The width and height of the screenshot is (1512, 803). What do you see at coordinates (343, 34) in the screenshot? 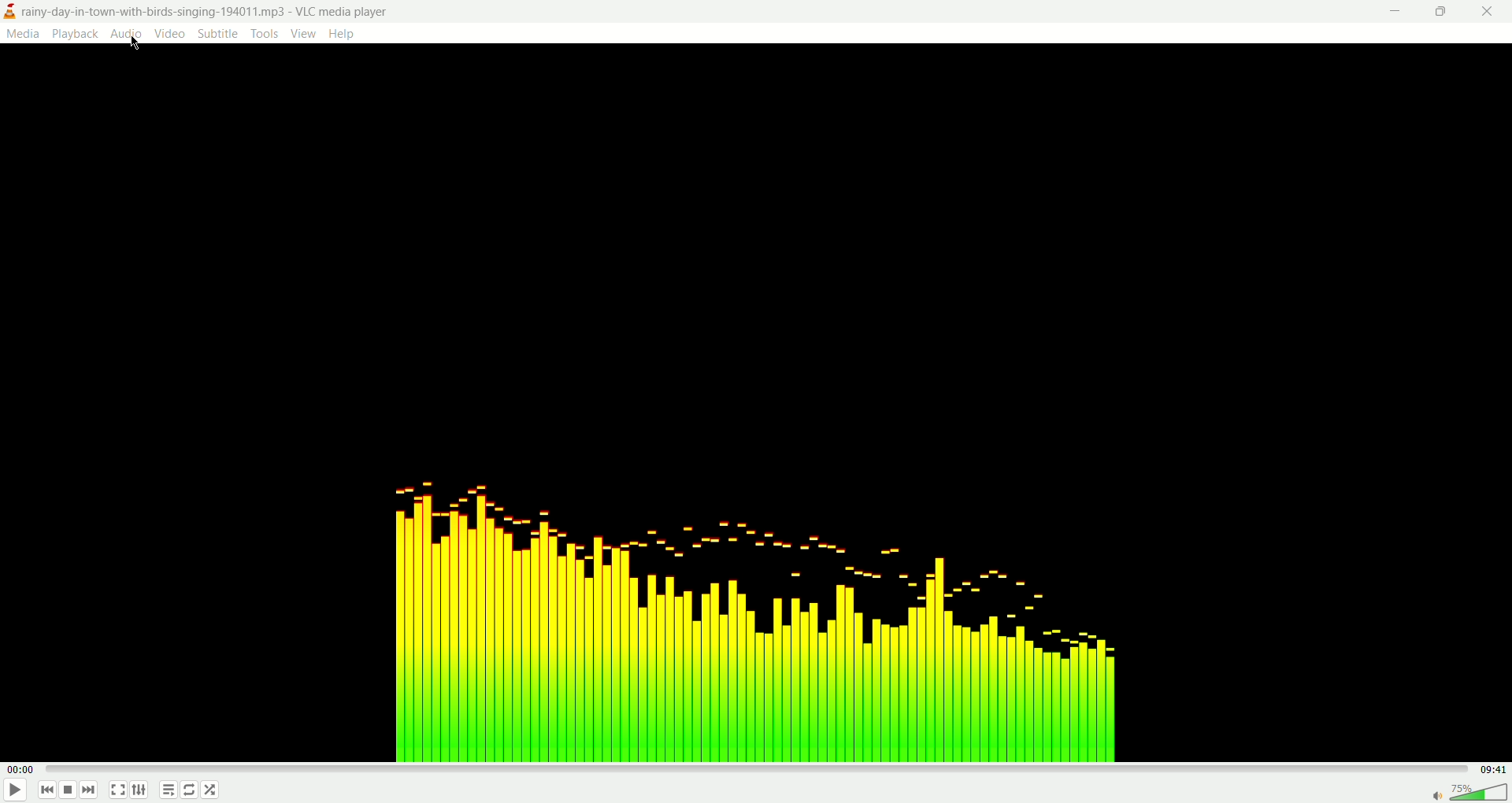
I see `help` at bounding box center [343, 34].